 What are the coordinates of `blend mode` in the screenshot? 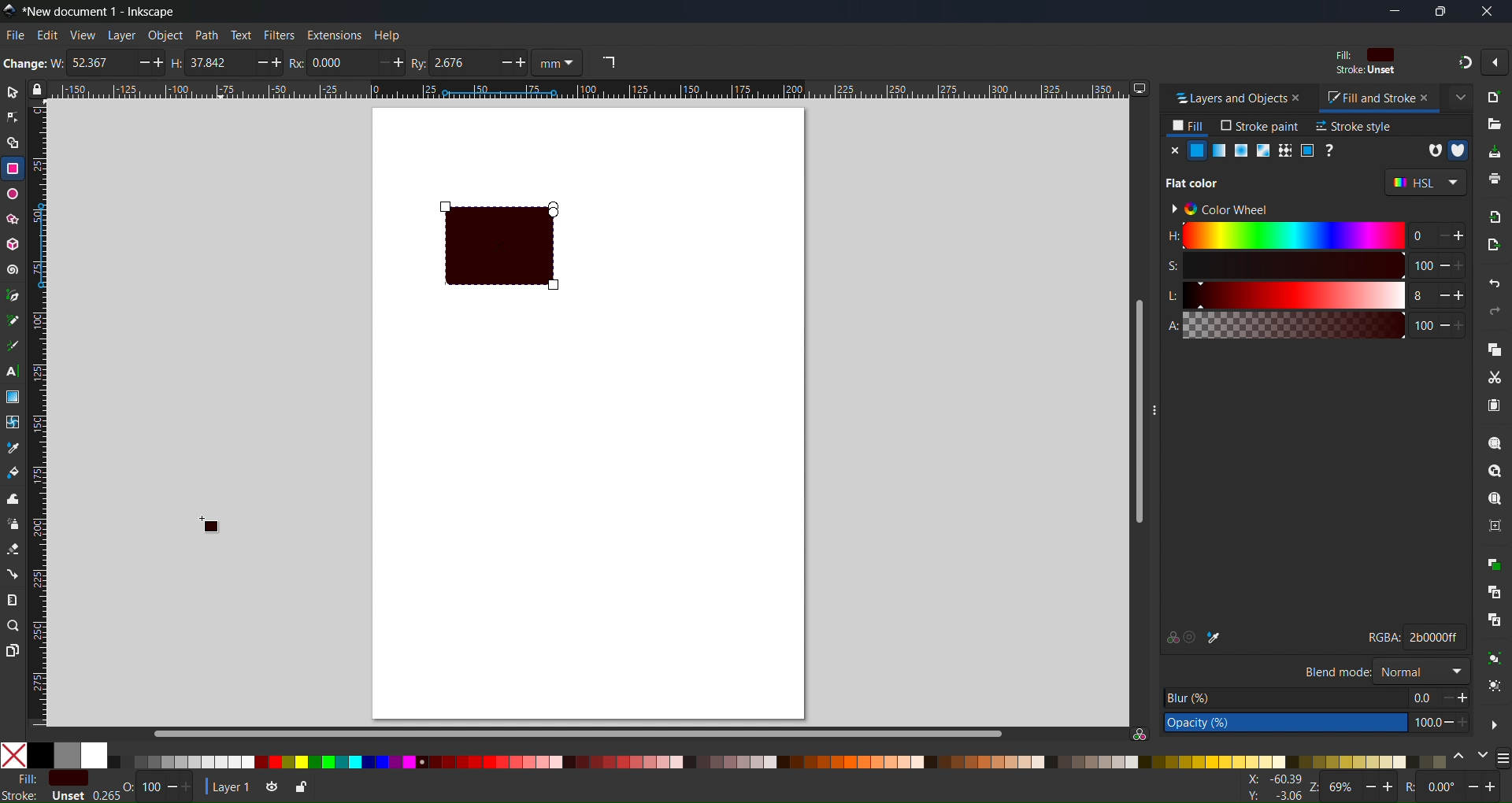 It's located at (1336, 671).